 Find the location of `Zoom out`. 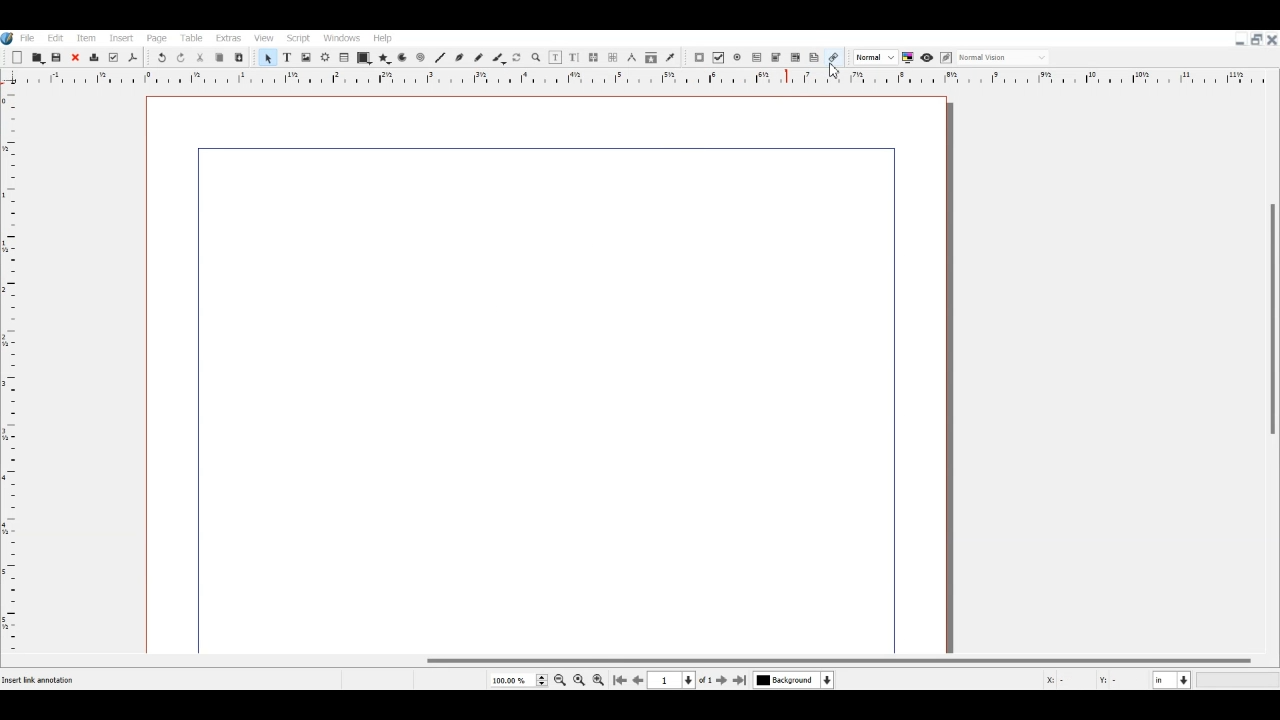

Zoom out is located at coordinates (561, 680).